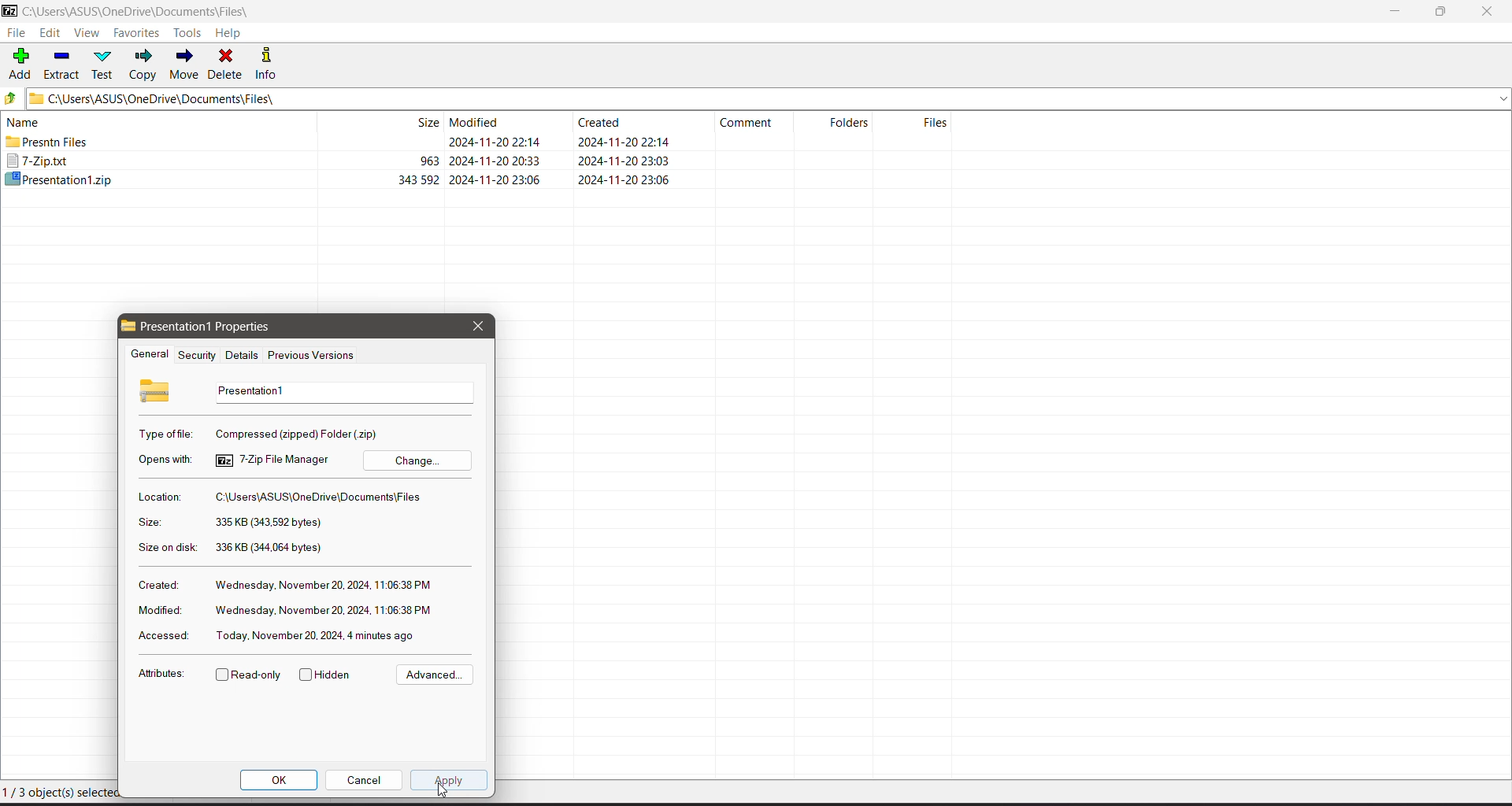  Describe the element at coordinates (161, 637) in the screenshot. I see `Accessed` at that location.